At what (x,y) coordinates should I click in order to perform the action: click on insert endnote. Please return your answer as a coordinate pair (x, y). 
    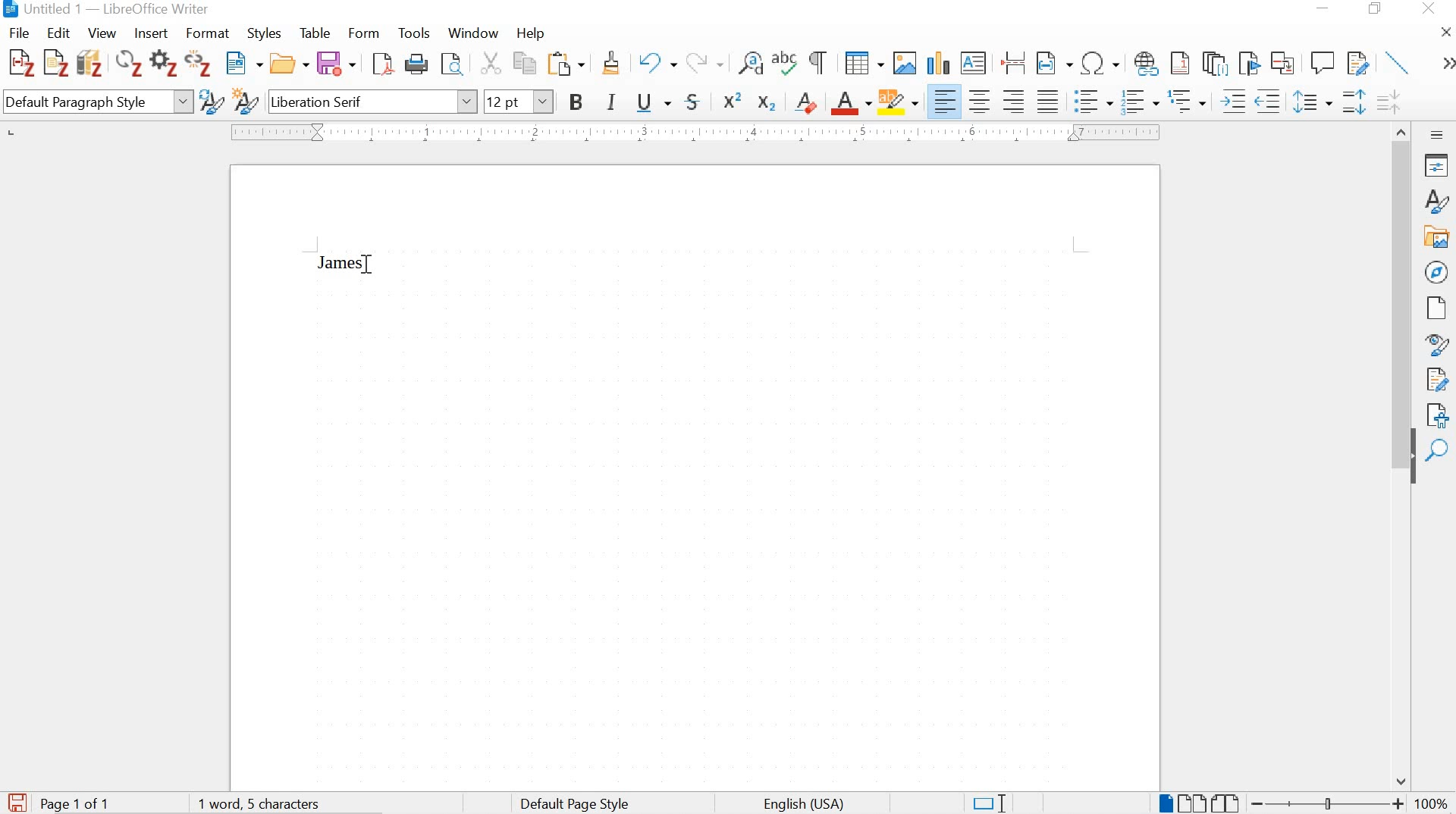
    Looking at the image, I should click on (1215, 64).